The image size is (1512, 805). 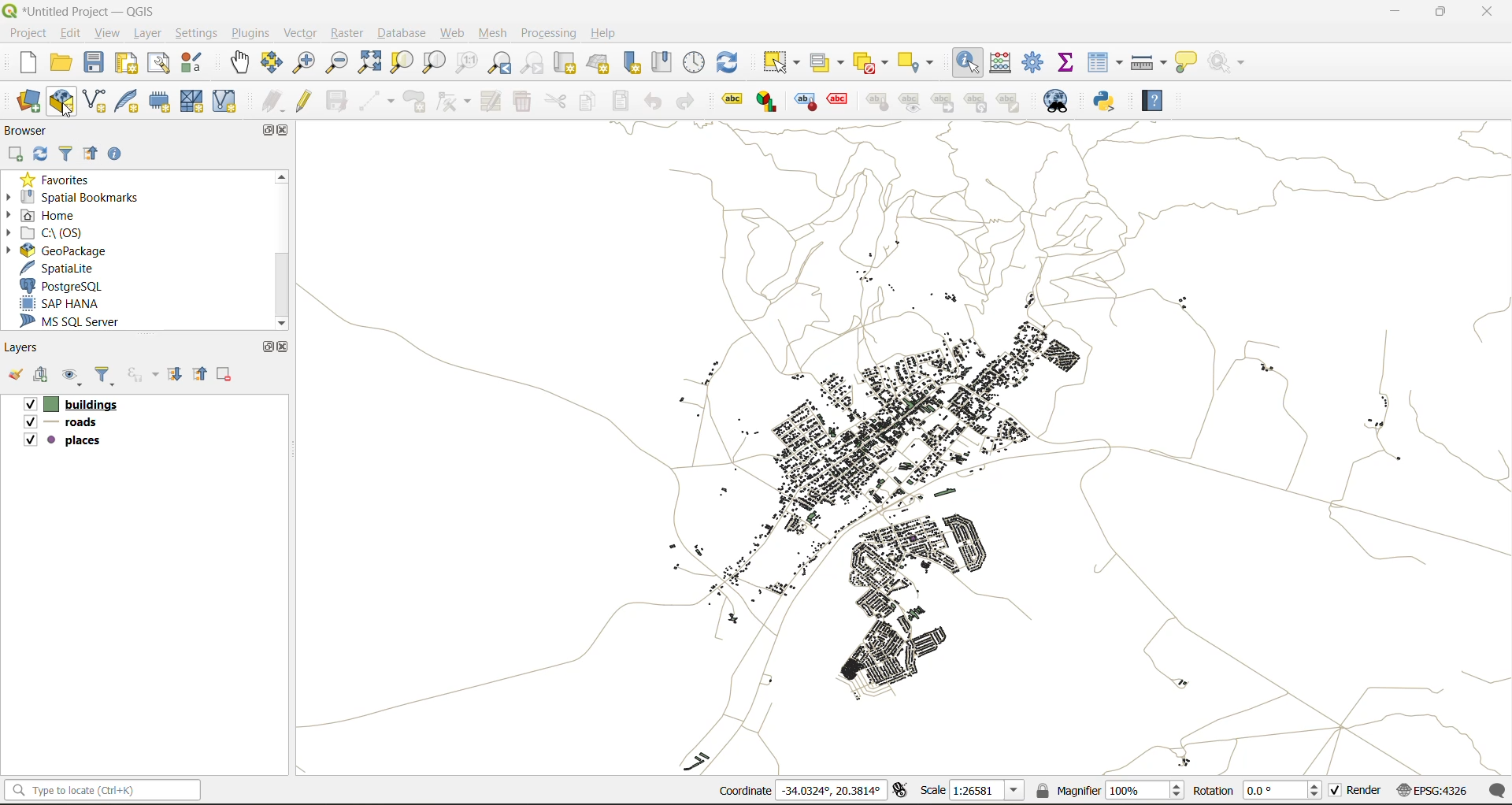 I want to click on close, so click(x=1479, y=13).